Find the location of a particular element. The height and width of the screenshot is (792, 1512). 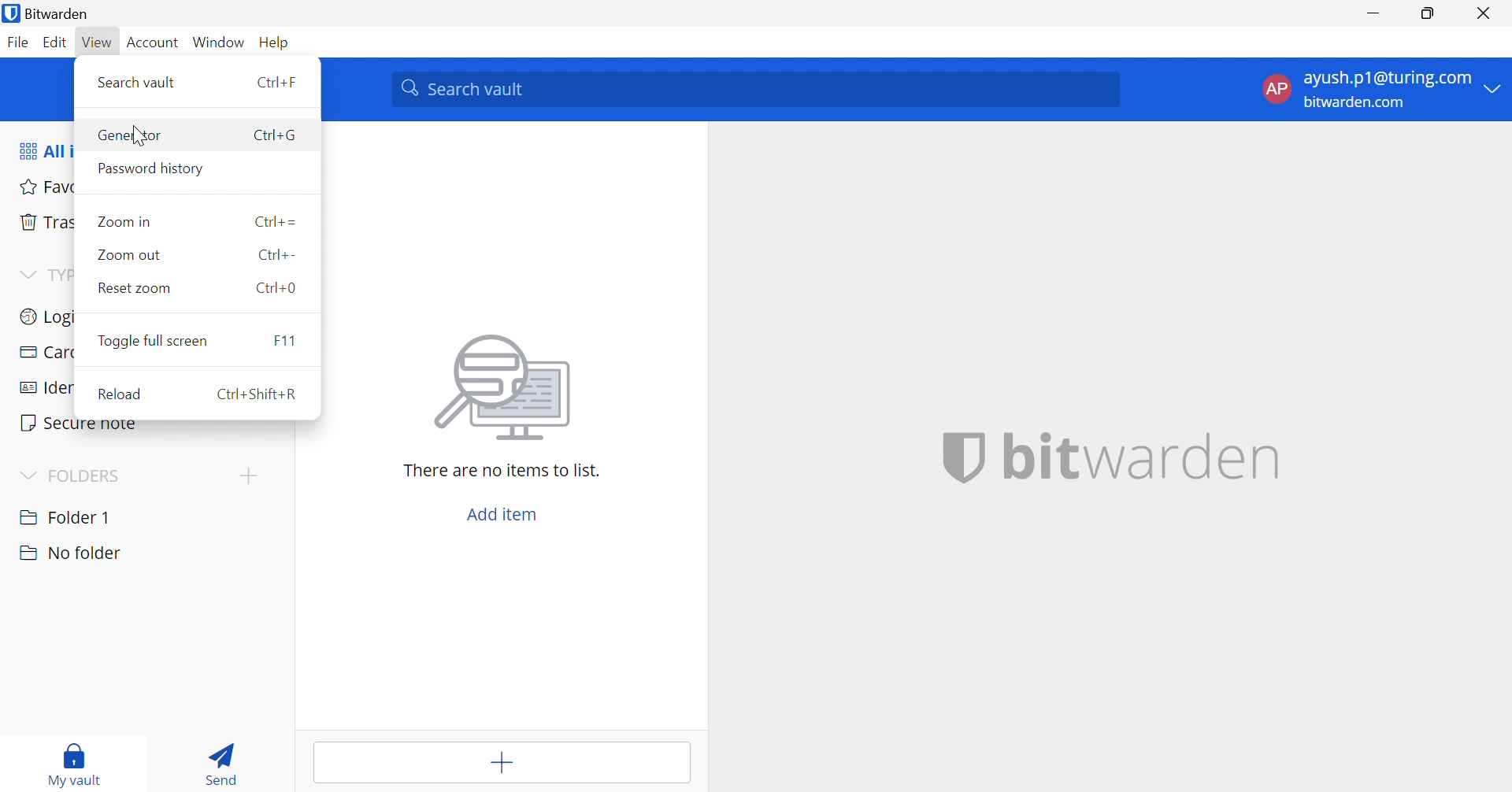

Close is located at coordinates (1486, 13).